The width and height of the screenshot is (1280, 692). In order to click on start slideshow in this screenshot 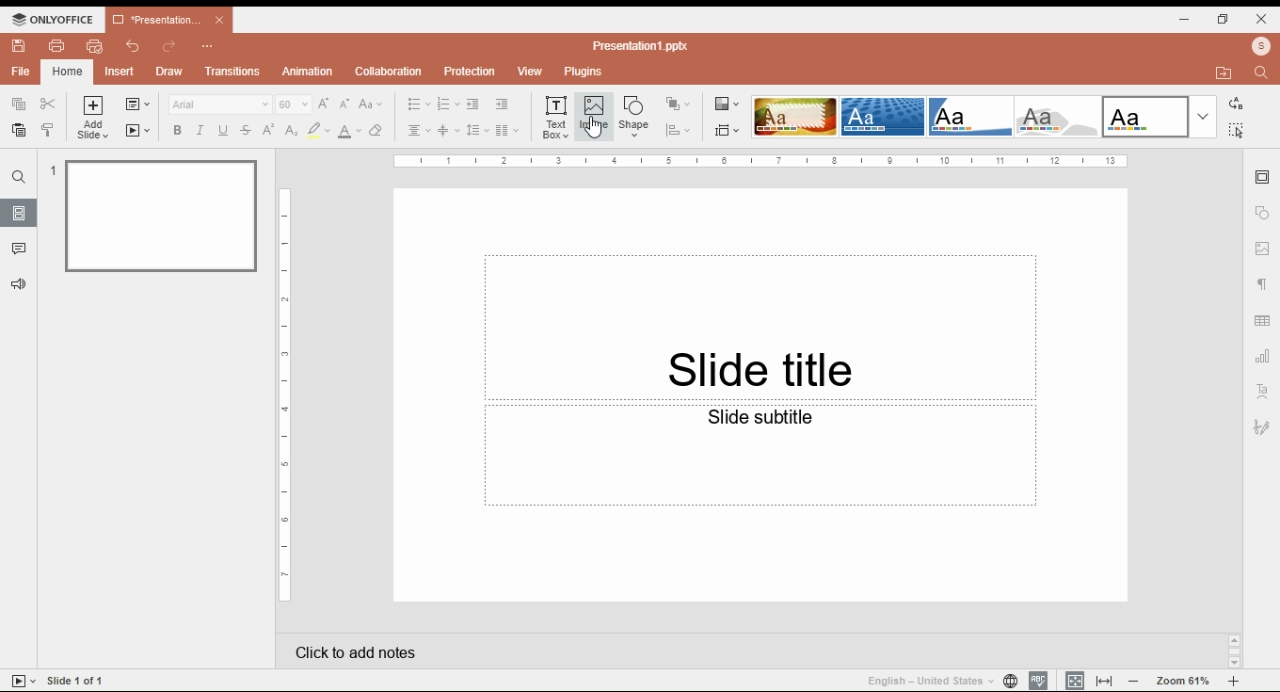, I will do `click(140, 130)`.